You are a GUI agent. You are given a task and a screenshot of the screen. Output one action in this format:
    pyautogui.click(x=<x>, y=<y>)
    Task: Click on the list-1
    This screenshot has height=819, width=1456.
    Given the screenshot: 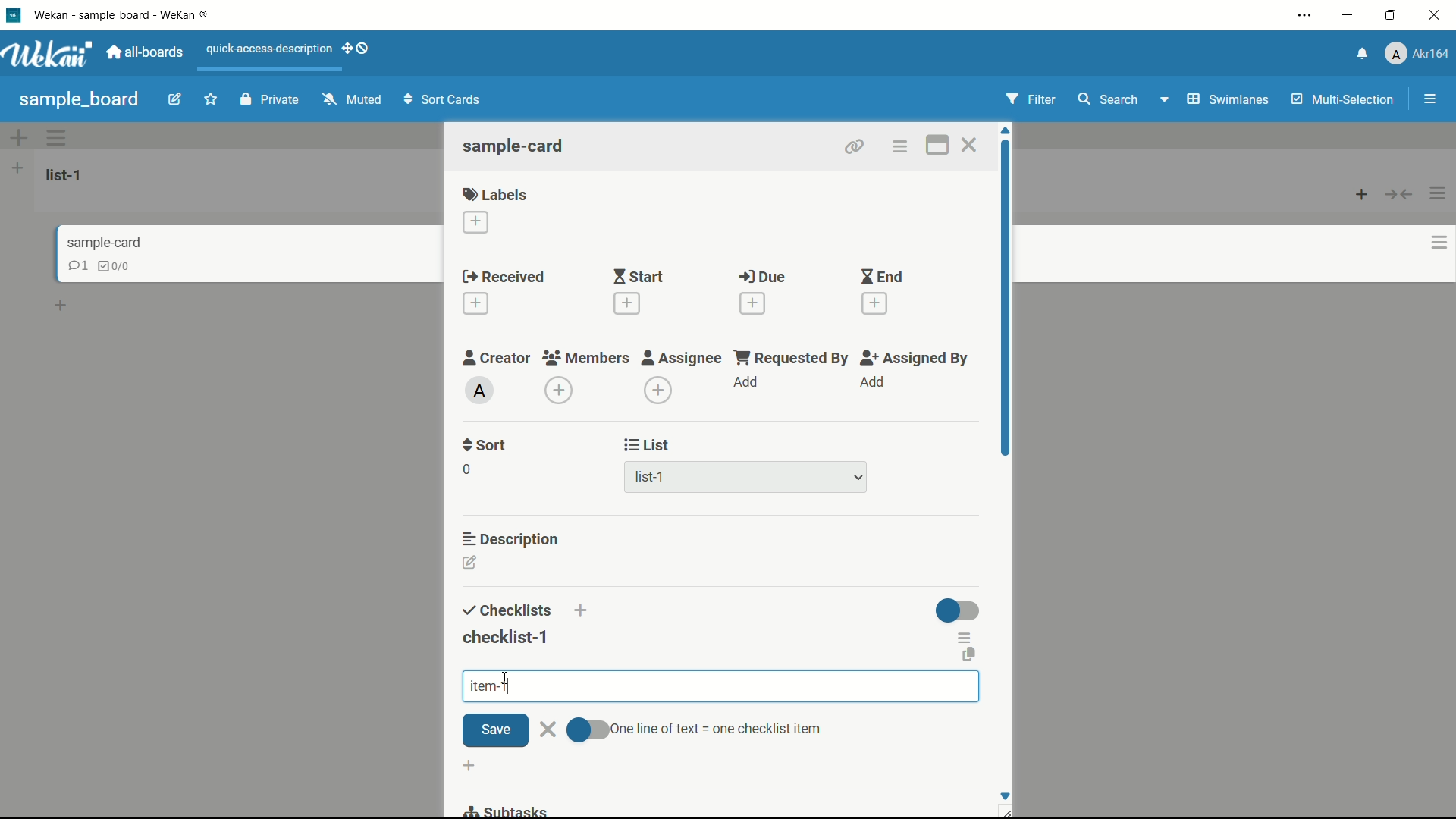 What is the action you would take?
    pyautogui.click(x=650, y=478)
    